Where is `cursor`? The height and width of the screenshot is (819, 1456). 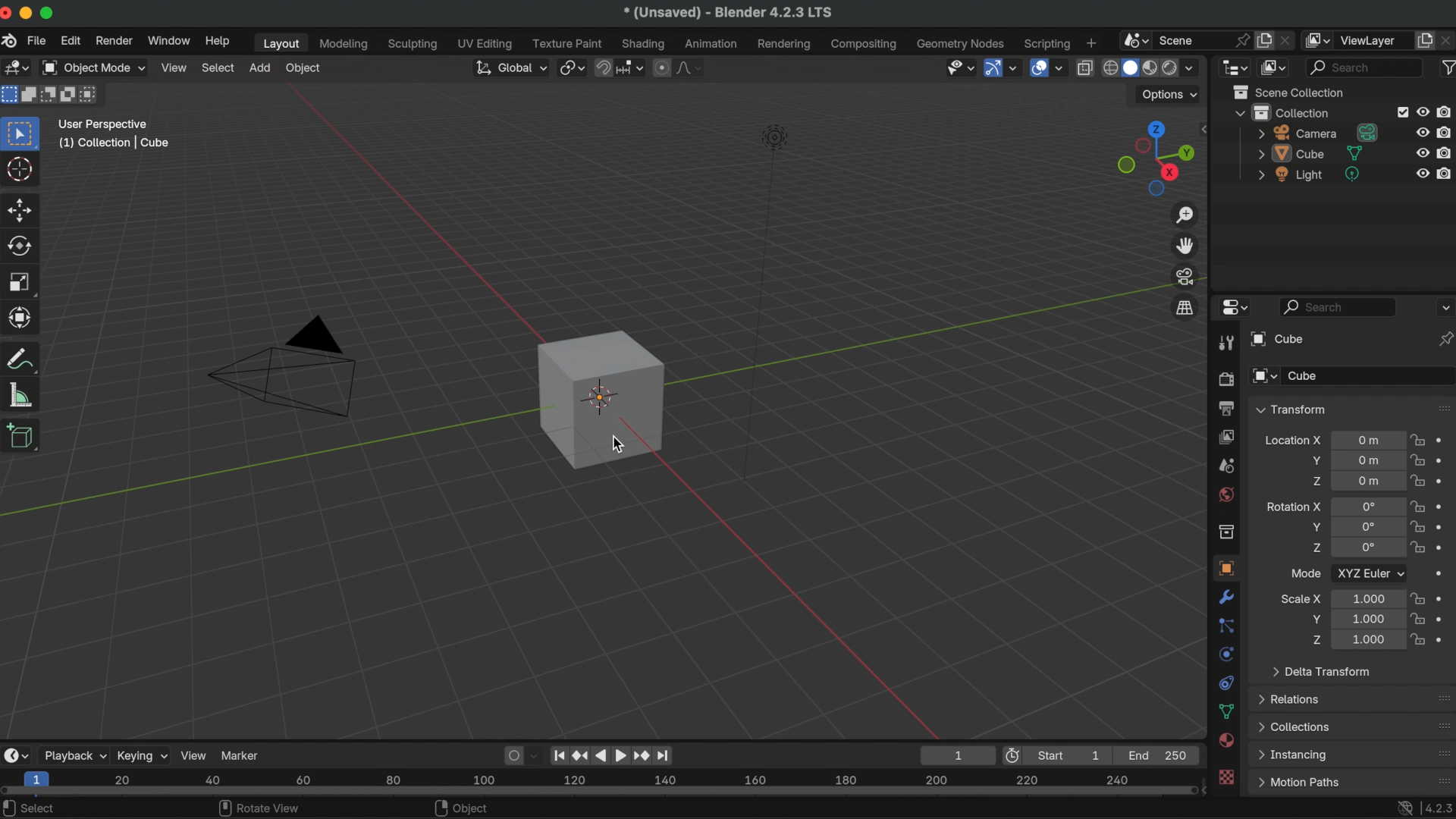 cursor is located at coordinates (21, 171).